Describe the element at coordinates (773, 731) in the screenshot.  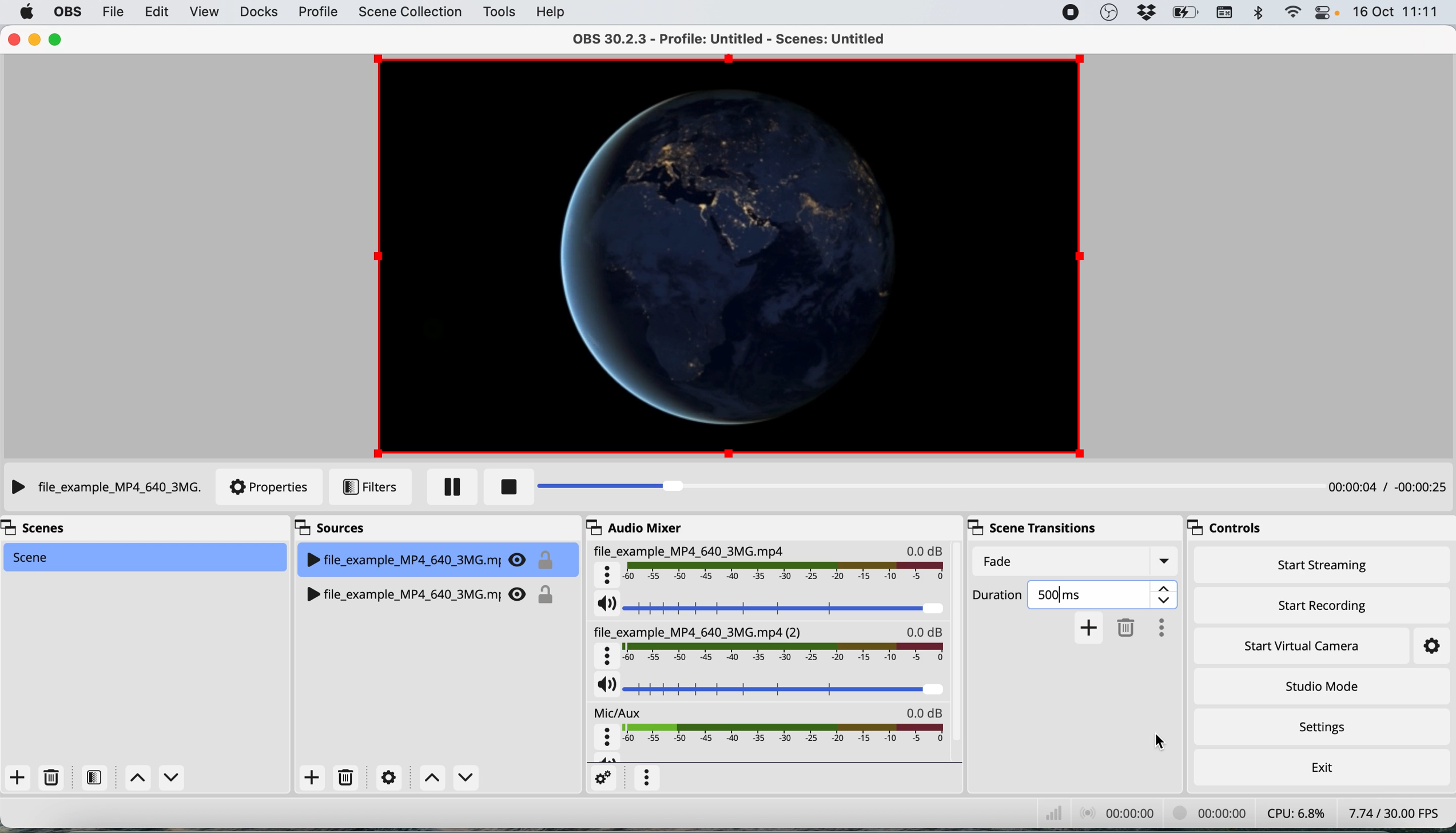
I see `mic aux audio` at that location.